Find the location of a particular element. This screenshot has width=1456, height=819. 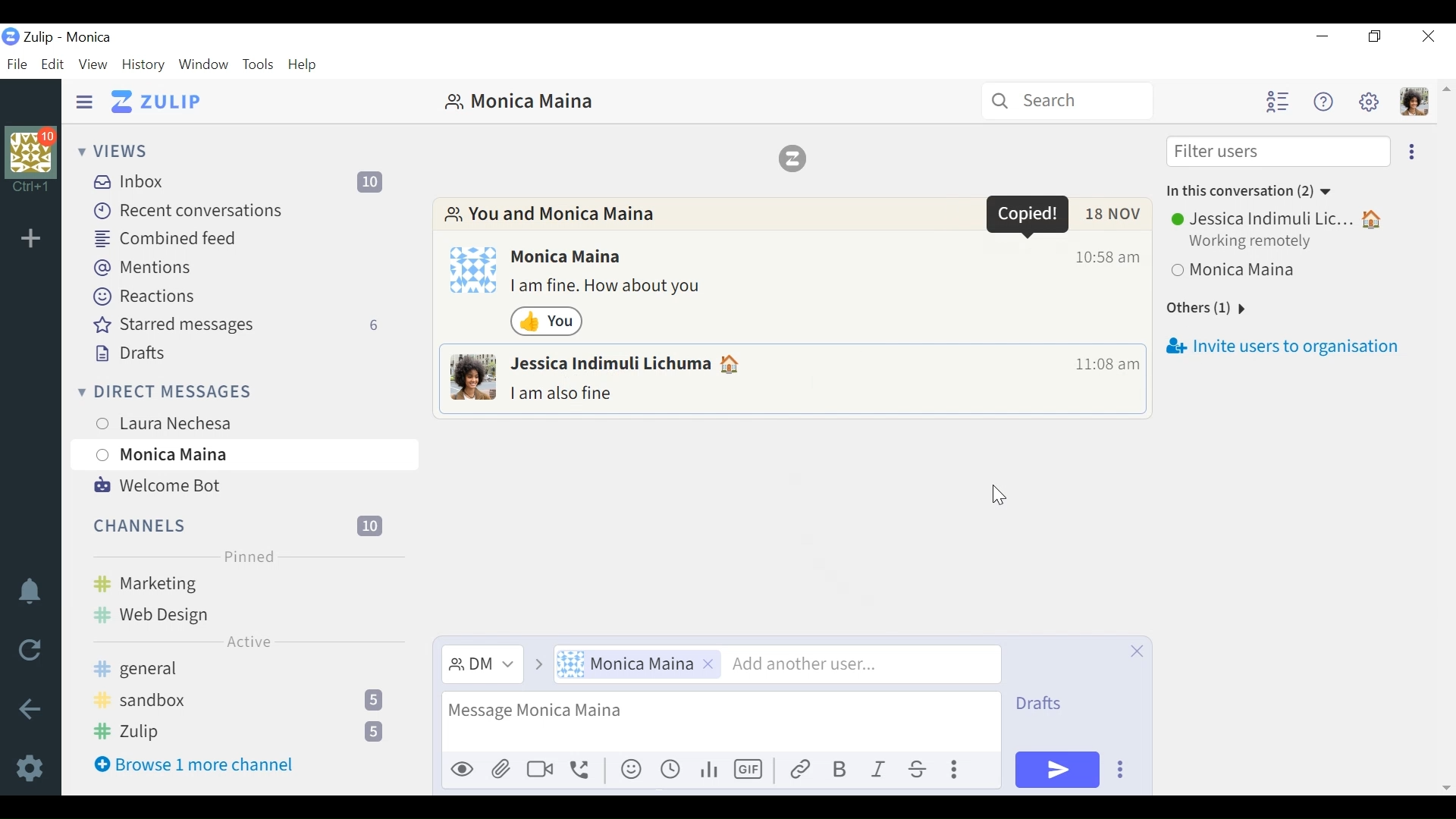

close is located at coordinates (1134, 652).